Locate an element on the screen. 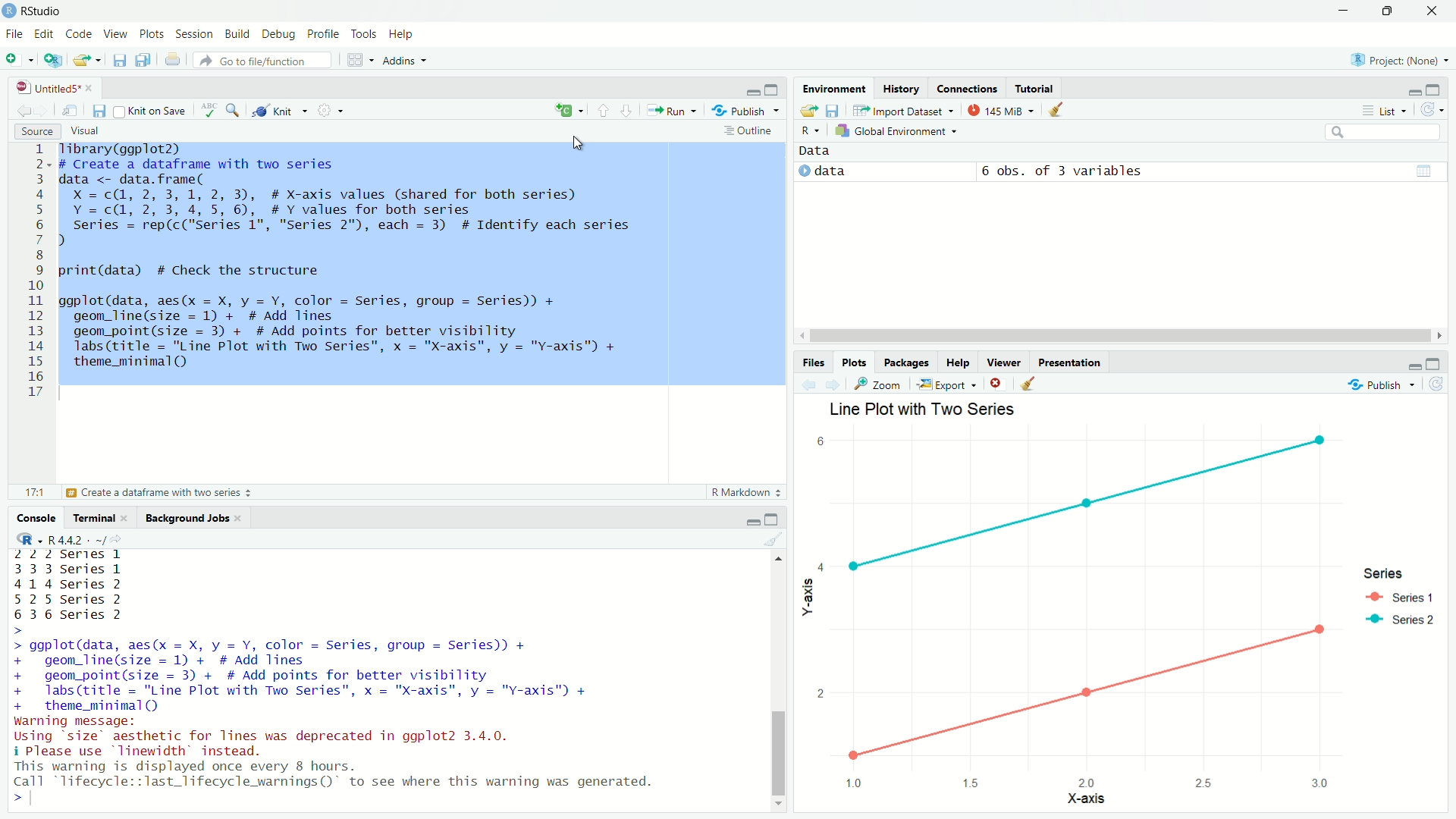  Go back to the previous source selection is located at coordinates (1028, 384).